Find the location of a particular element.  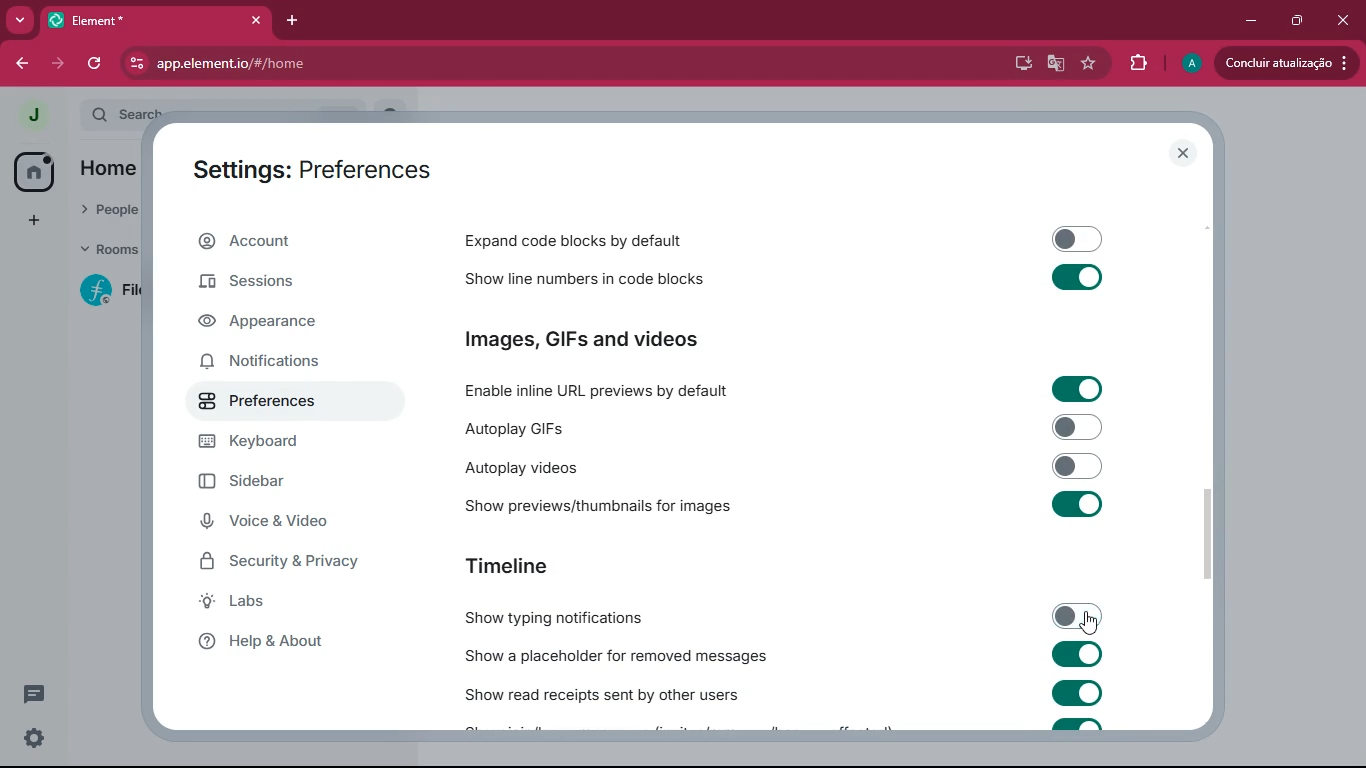

toggle on/off is located at coordinates (1079, 427).